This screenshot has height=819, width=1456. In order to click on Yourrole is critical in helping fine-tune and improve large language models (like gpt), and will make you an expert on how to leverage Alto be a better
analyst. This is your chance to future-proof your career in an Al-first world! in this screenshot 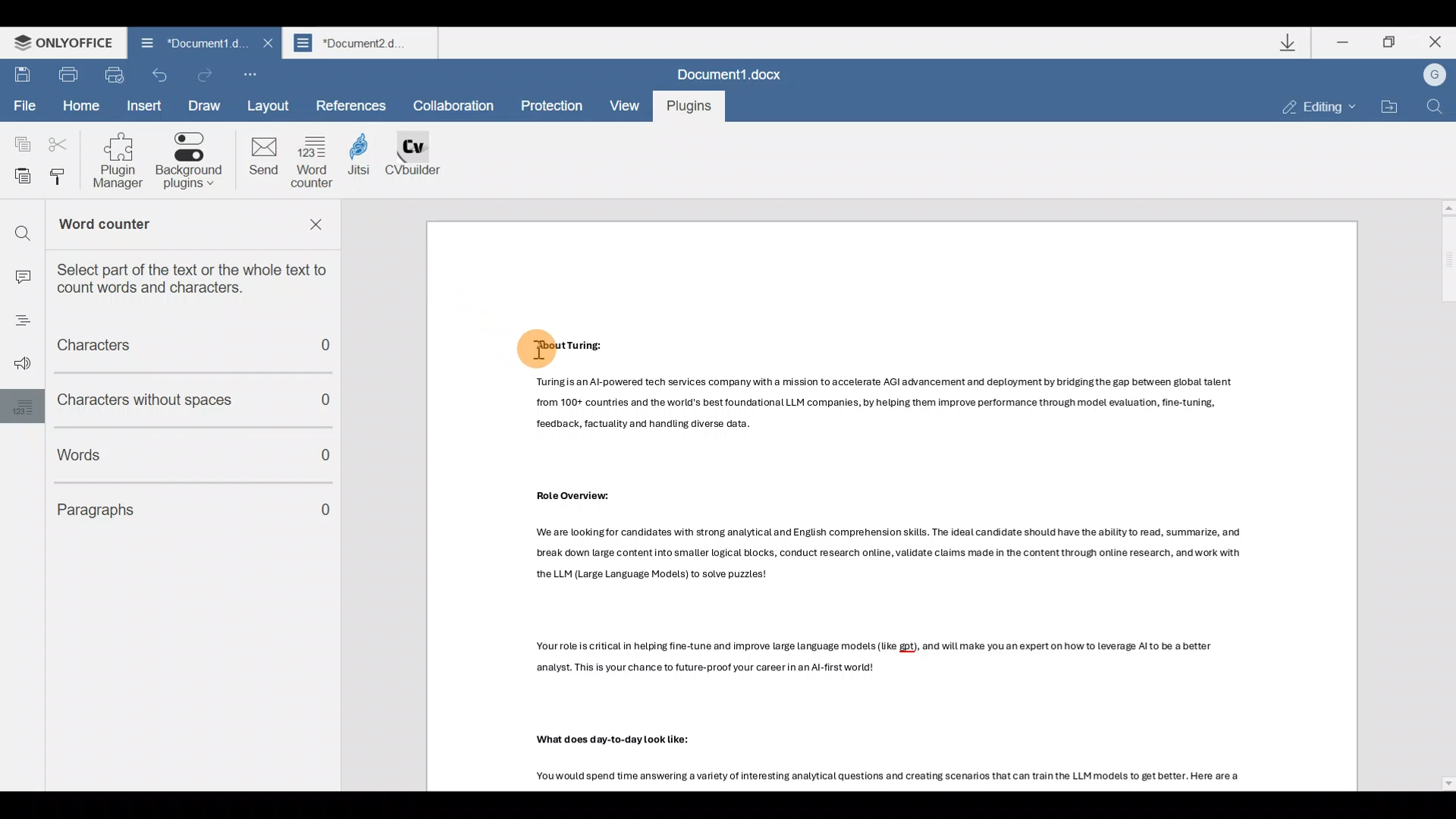, I will do `click(926, 664)`.